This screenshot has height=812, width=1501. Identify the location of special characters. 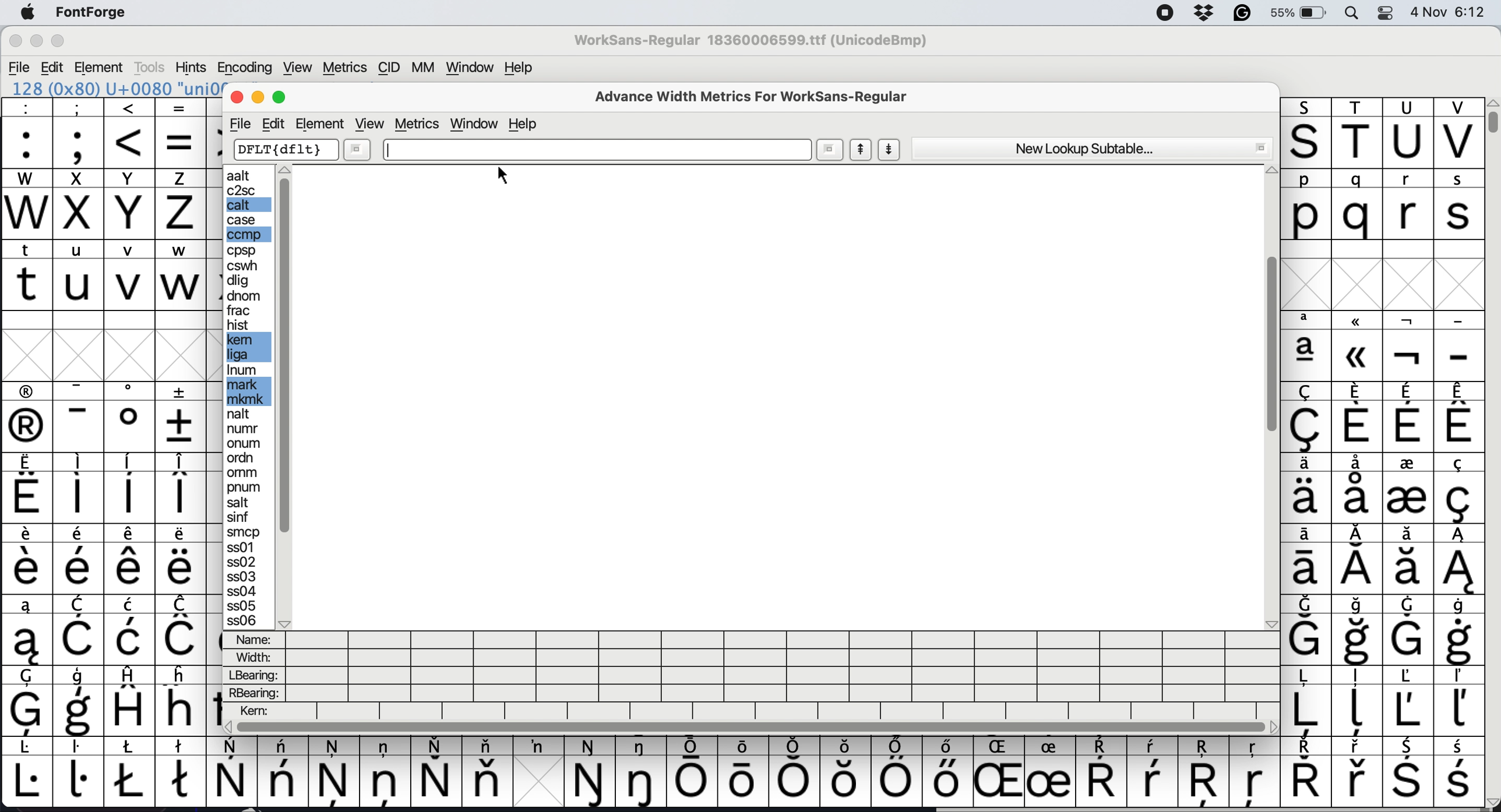
(1385, 464).